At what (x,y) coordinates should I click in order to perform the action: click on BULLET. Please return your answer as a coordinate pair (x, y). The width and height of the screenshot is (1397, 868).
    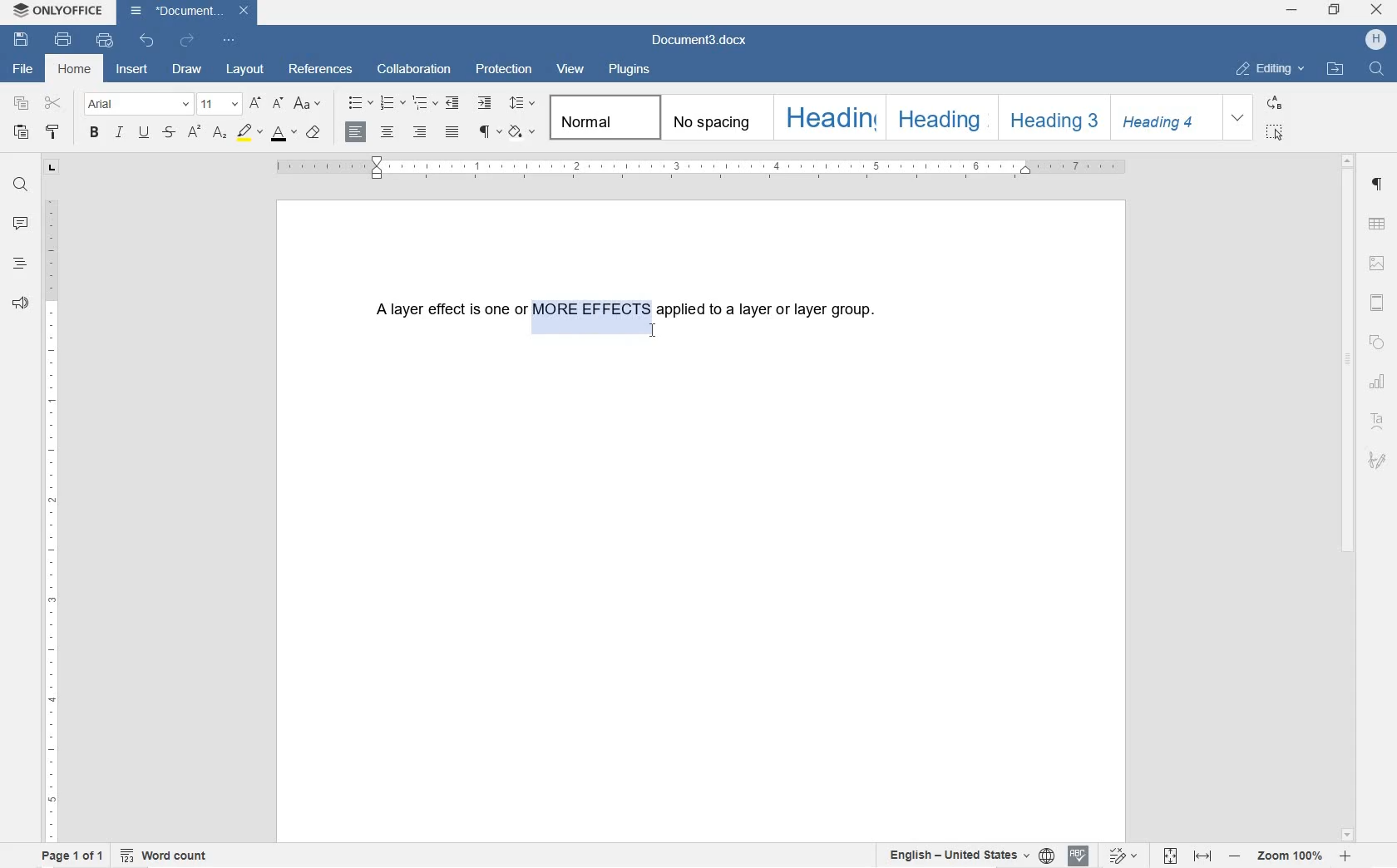
    Looking at the image, I should click on (359, 104).